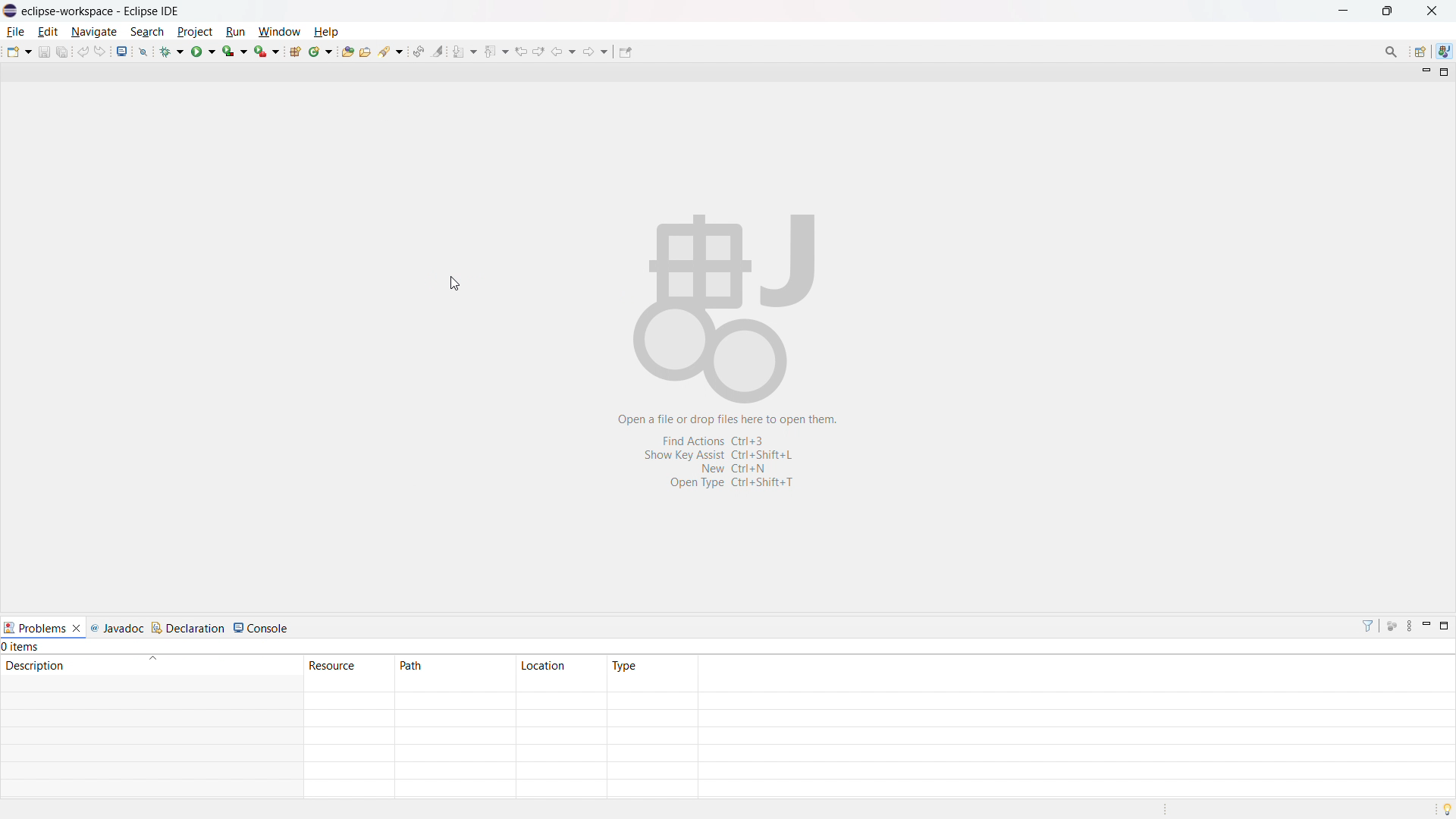 The image size is (1456, 819). I want to click on search, so click(148, 32).